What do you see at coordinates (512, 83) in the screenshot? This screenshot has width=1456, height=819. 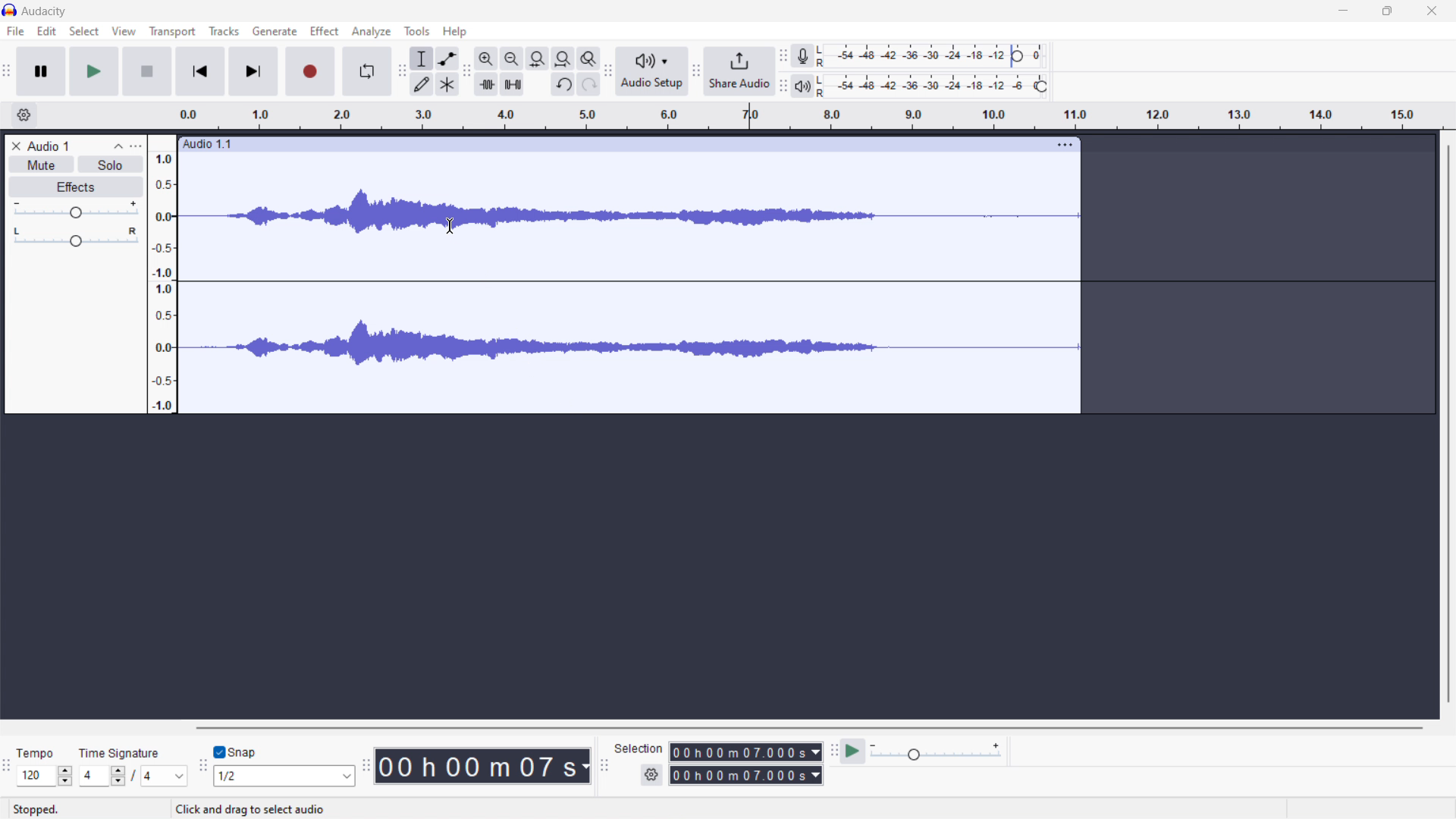 I see `mute selection` at bounding box center [512, 83].